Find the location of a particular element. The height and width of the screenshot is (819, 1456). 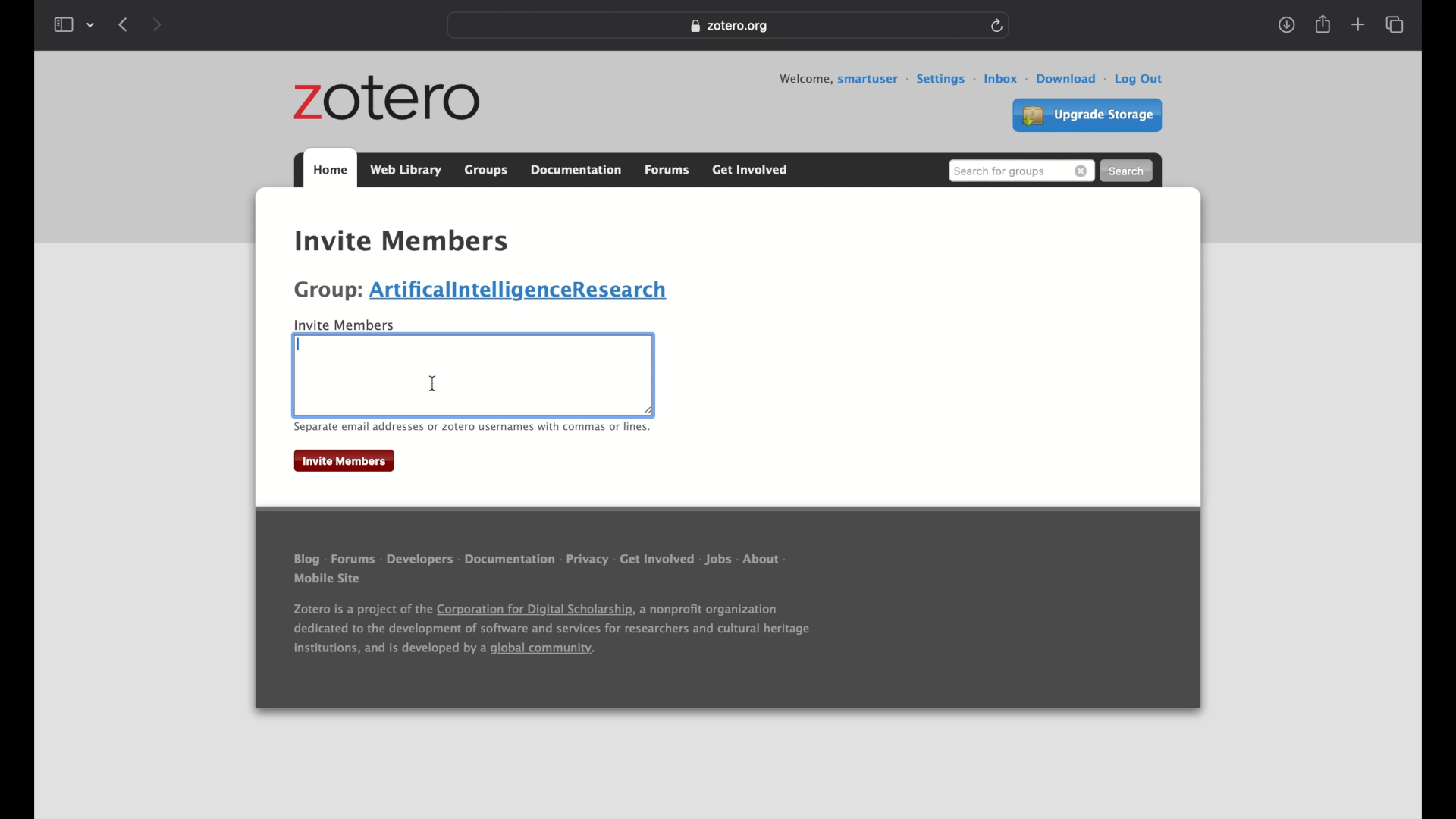

home tab is located at coordinates (330, 169).